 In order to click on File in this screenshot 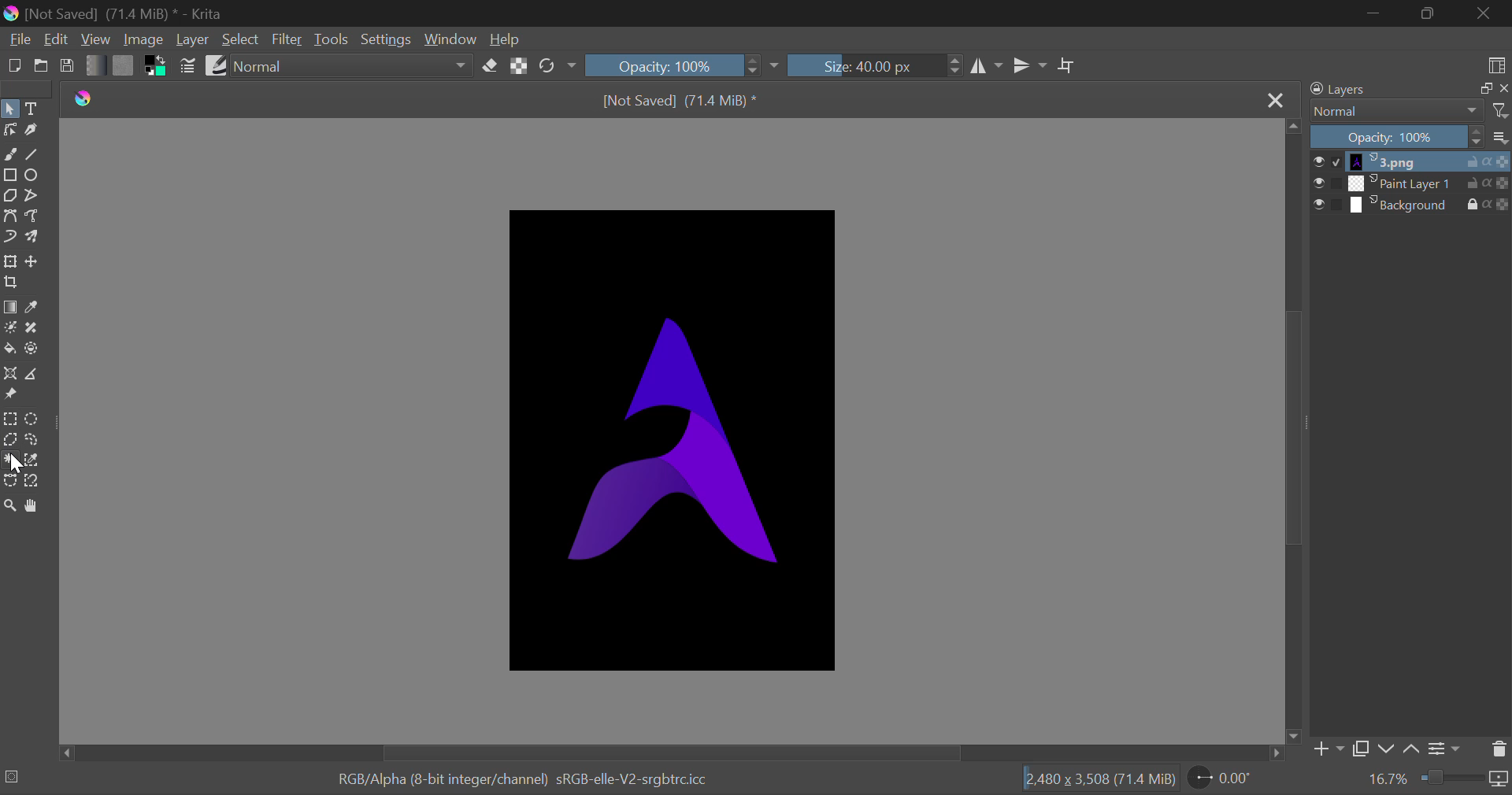, I will do `click(19, 39)`.